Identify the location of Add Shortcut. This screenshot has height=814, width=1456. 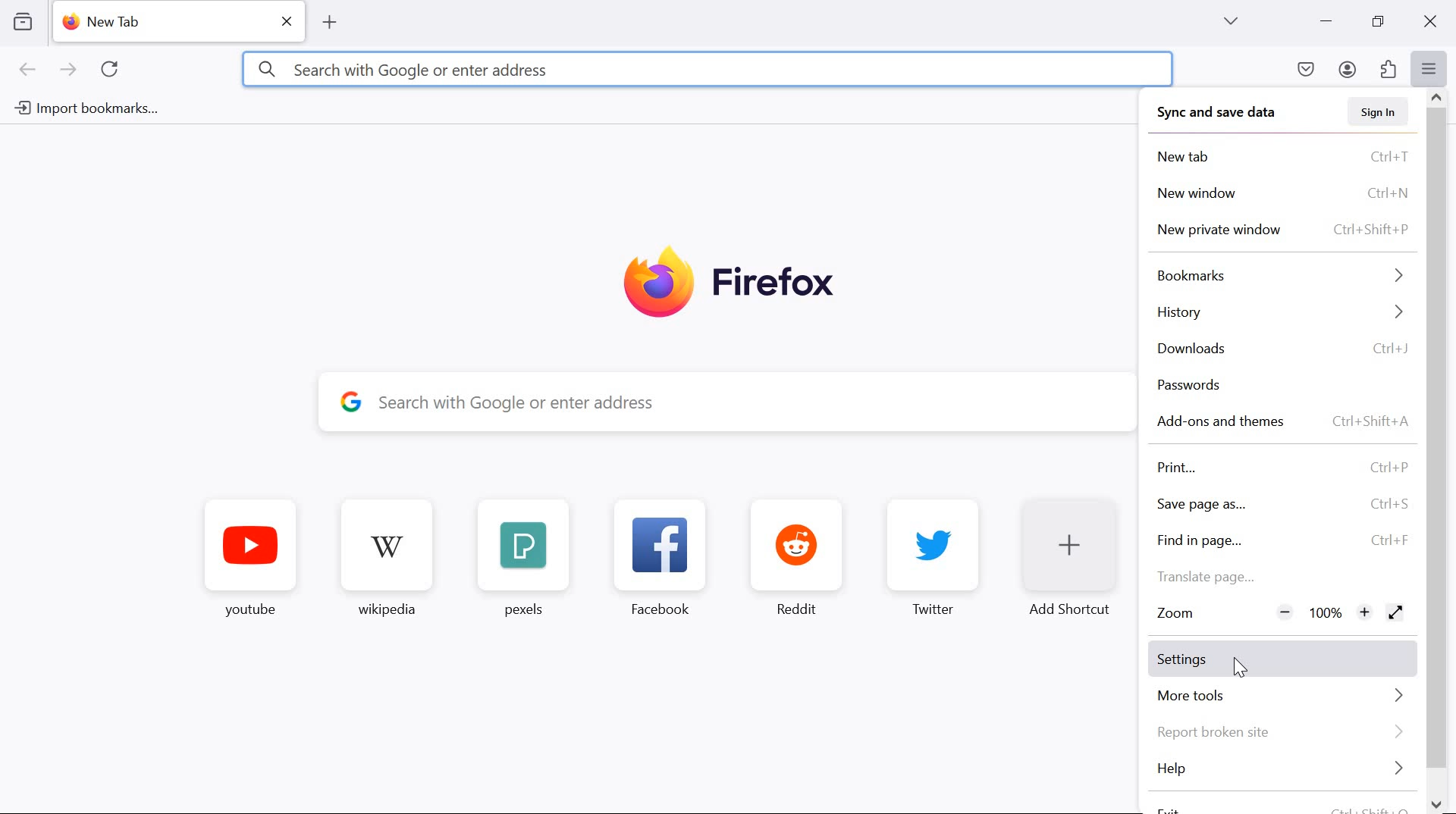
(1075, 562).